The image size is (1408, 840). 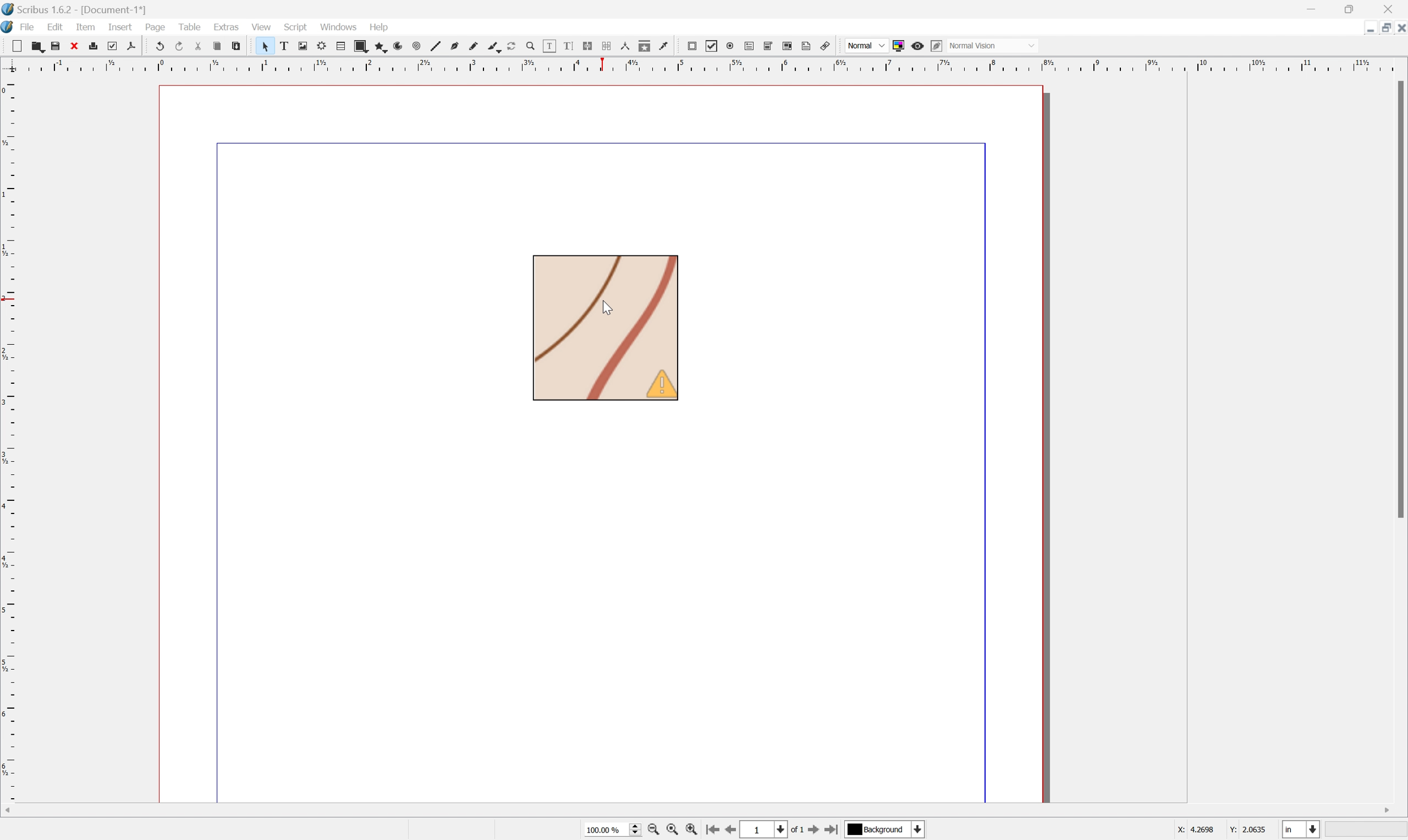 What do you see at coordinates (439, 47) in the screenshot?
I see `Line` at bounding box center [439, 47].